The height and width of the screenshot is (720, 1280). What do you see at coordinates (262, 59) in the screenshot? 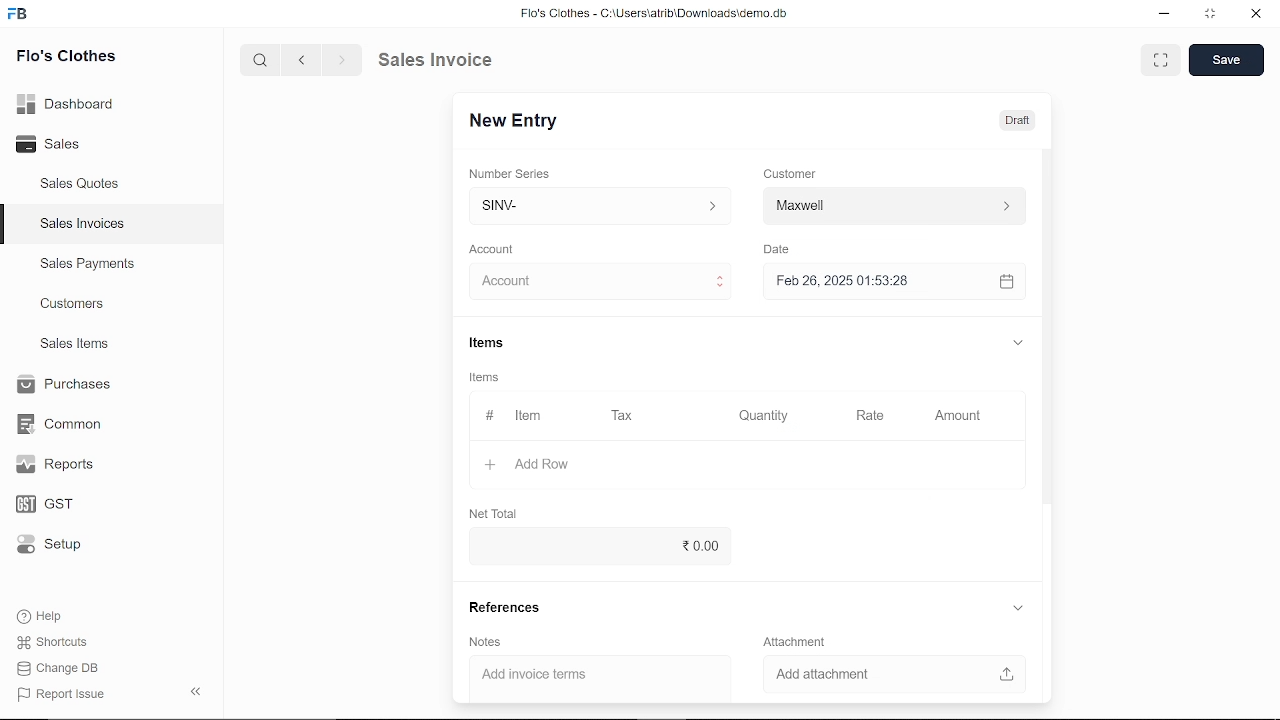
I see `search` at bounding box center [262, 59].